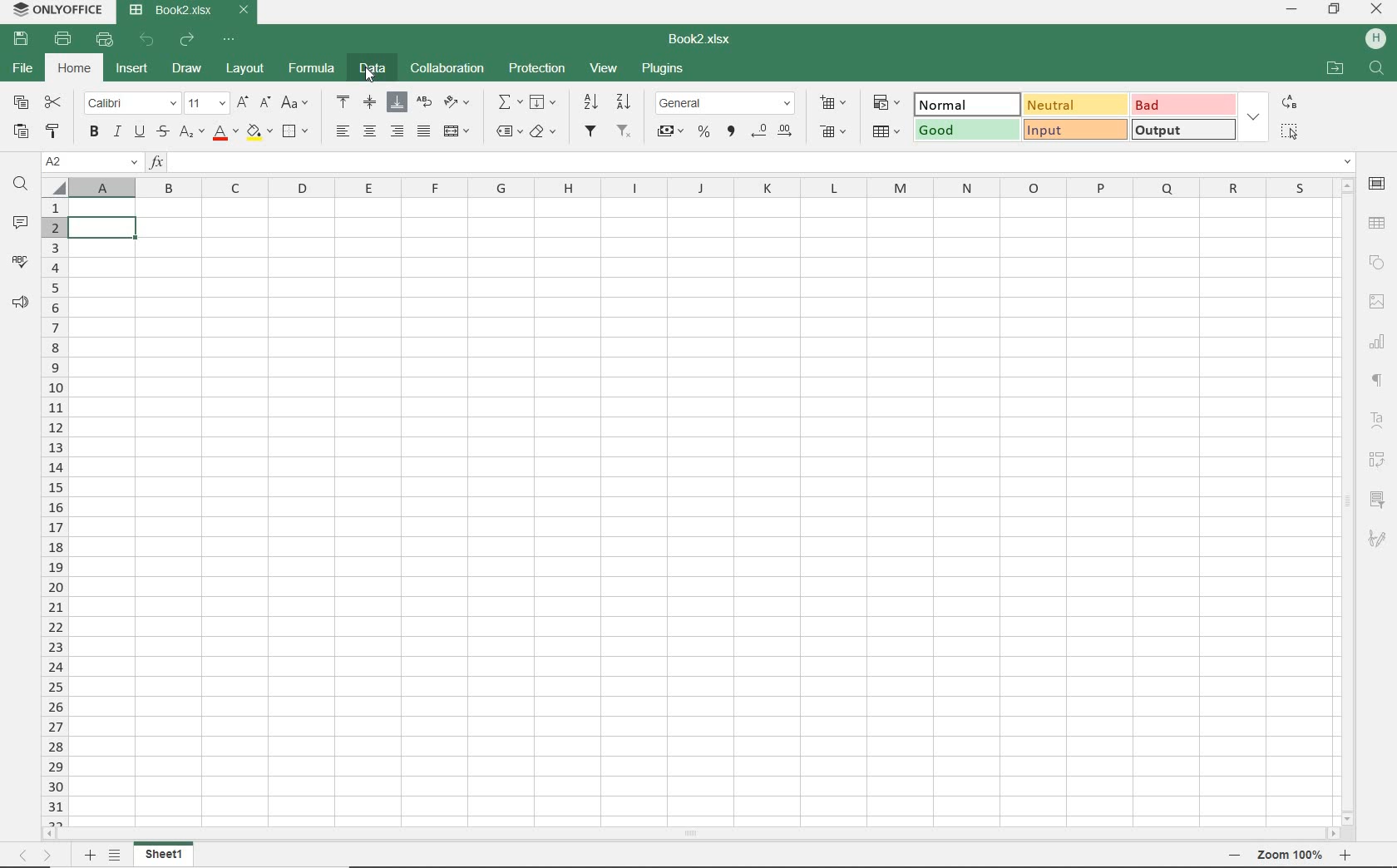 The width and height of the screenshot is (1397, 868). I want to click on ACCOUNTING STYLE, so click(671, 133).